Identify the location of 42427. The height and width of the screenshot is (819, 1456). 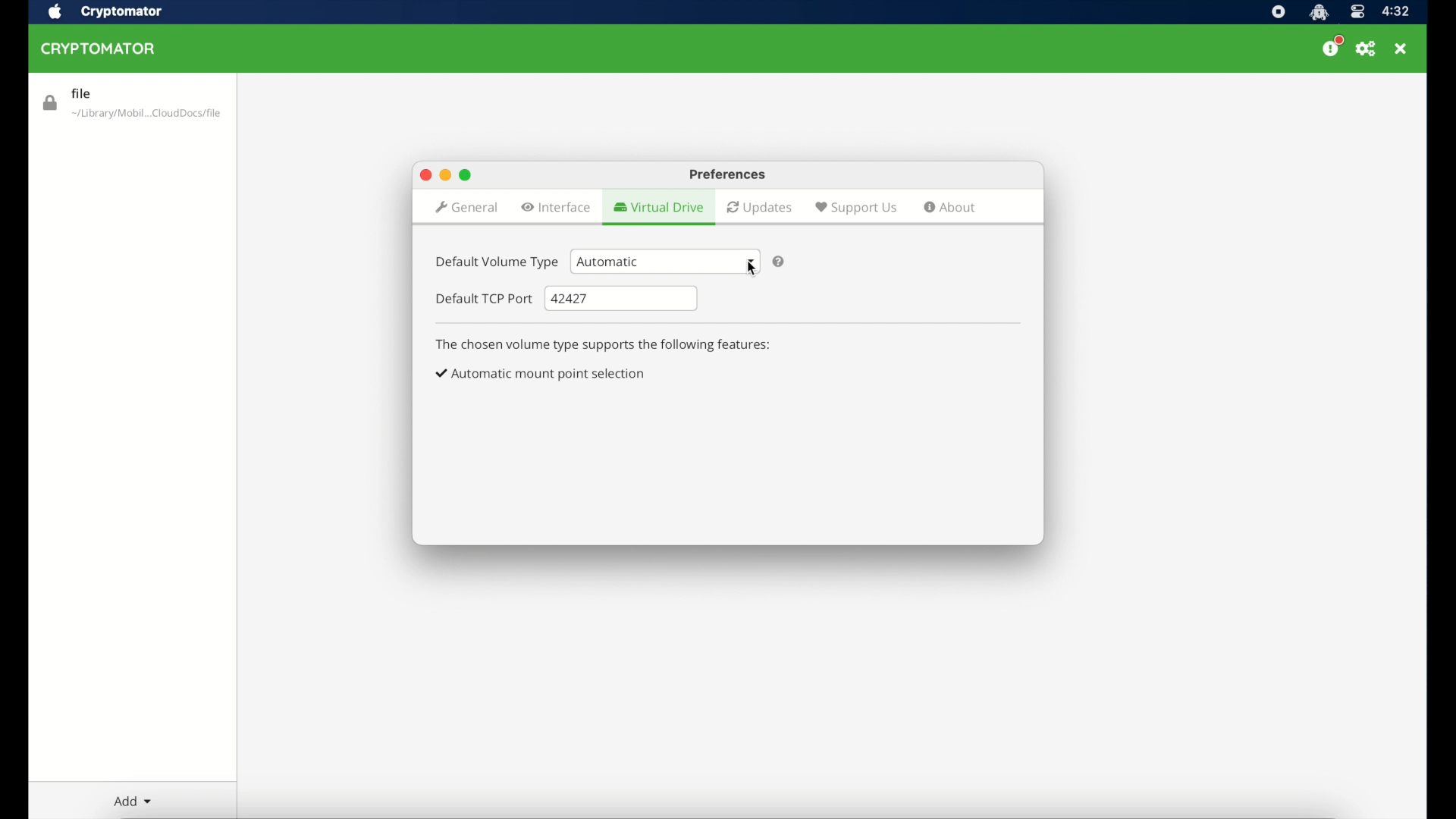
(622, 299).